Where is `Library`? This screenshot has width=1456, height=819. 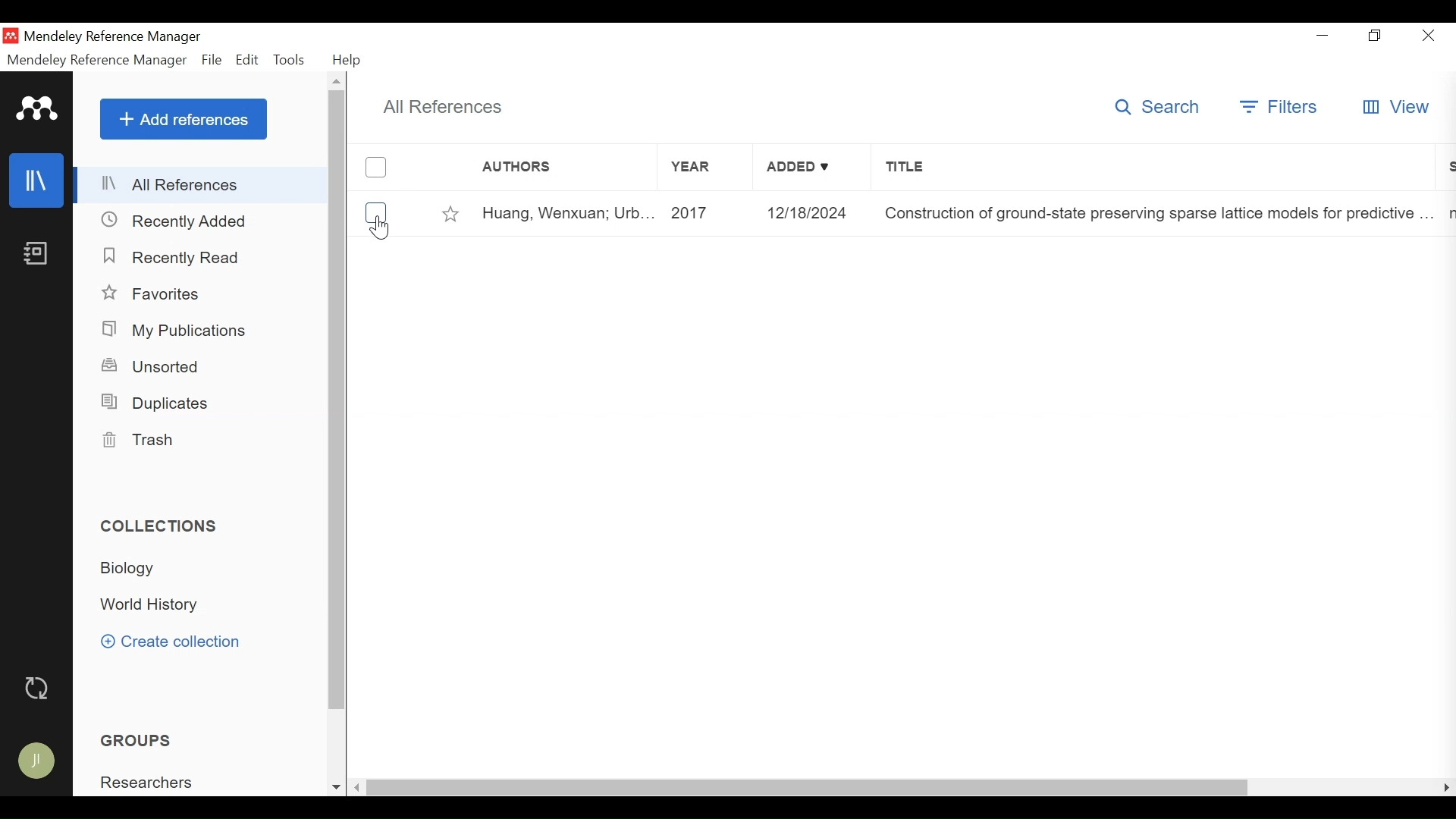
Library is located at coordinates (35, 181).